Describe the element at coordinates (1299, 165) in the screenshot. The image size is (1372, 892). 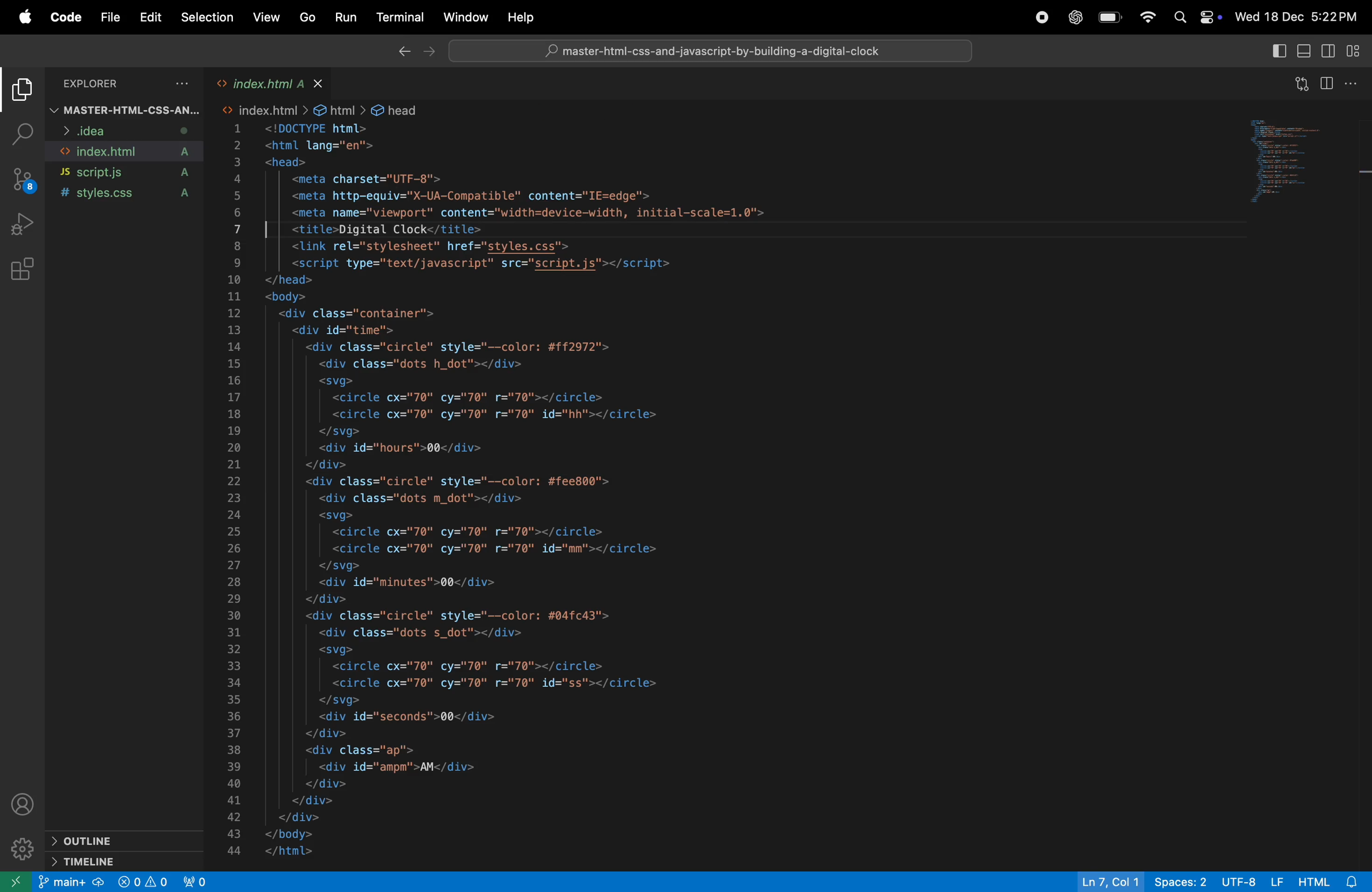
I see `code window` at that location.